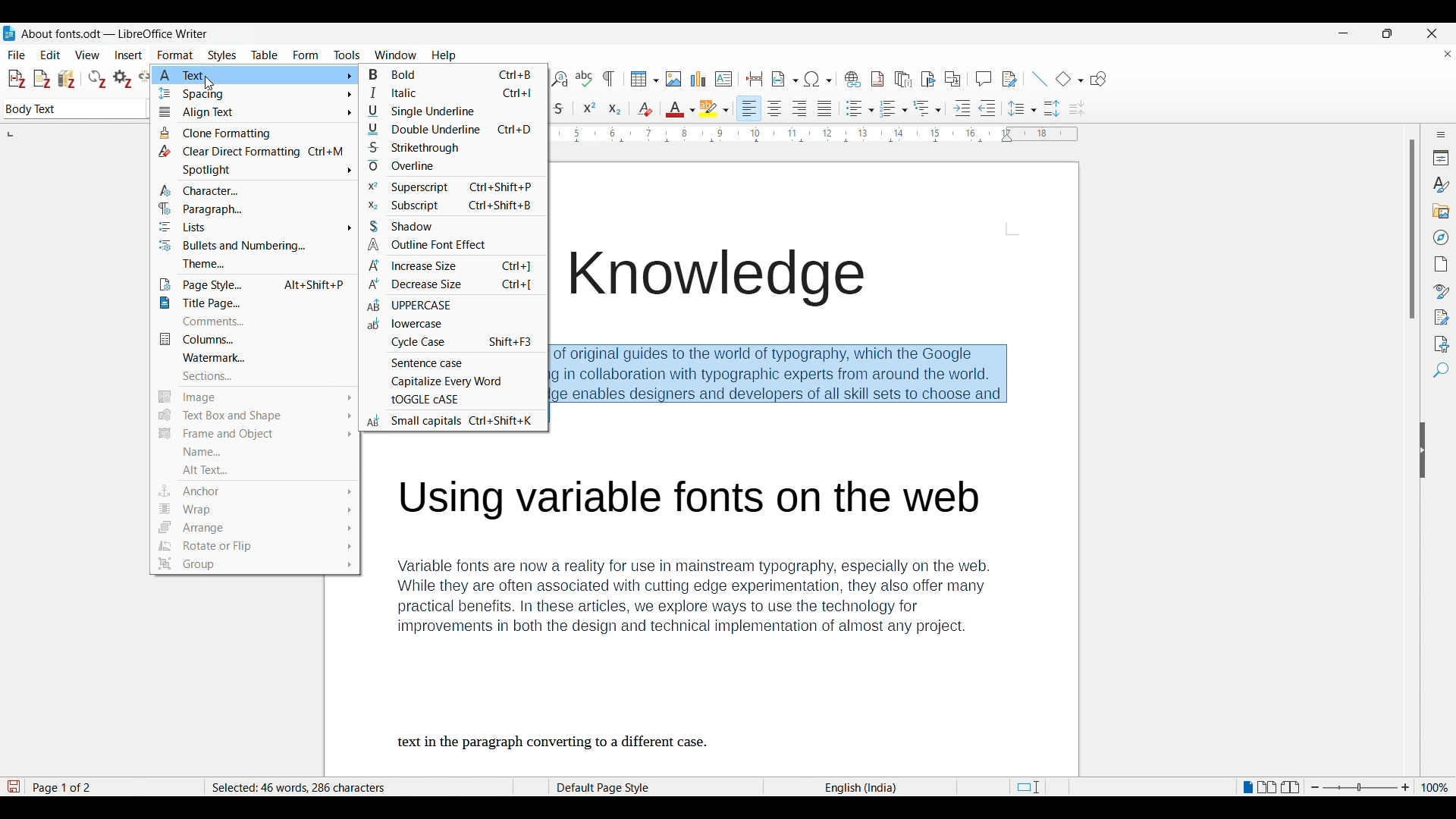 This screenshot has width=1456, height=819. Describe the element at coordinates (1442, 237) in the screenshot. I see `Navigator` at that location.